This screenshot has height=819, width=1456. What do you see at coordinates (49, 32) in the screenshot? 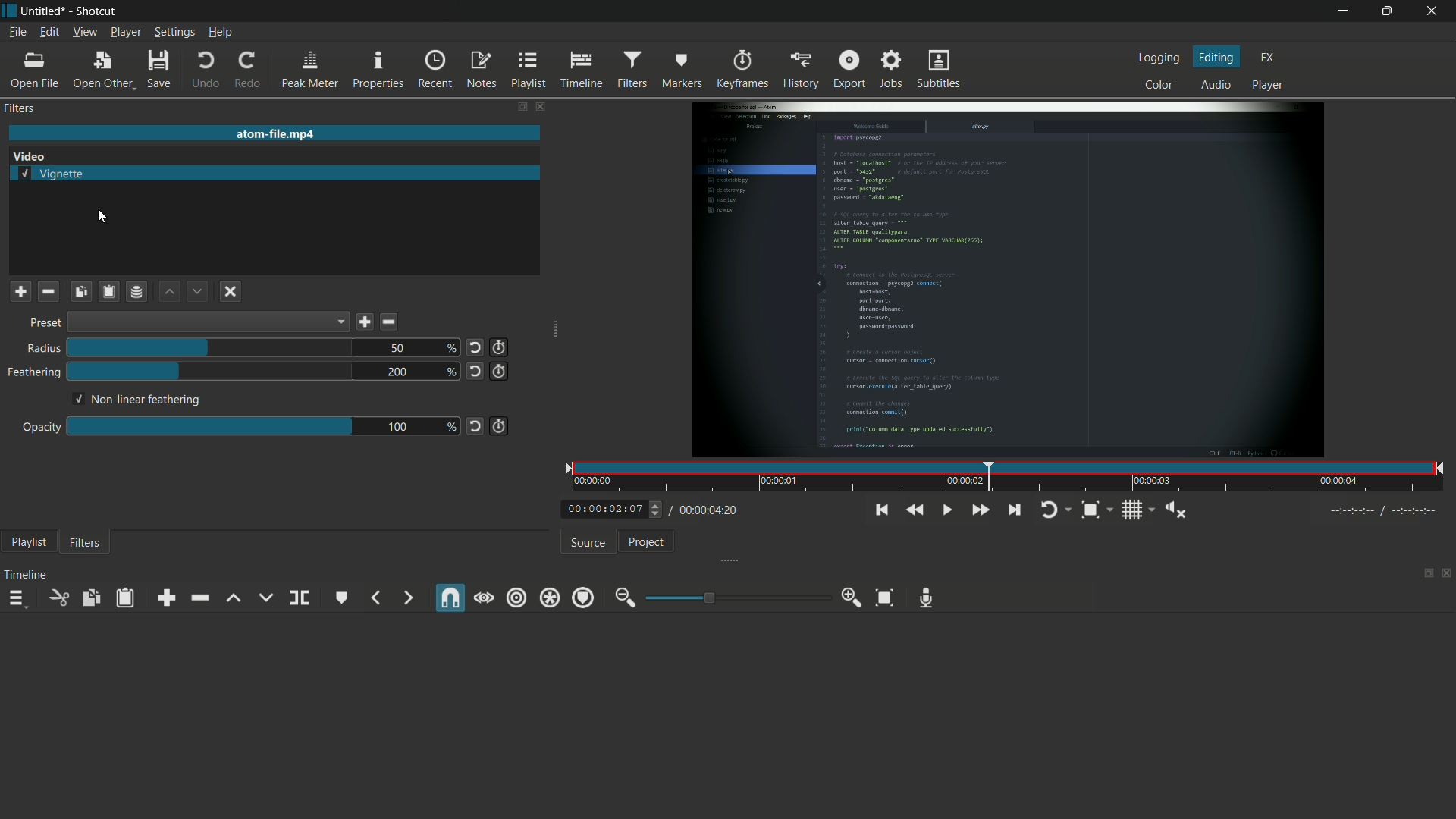
I see `edit menu` at bounding box center [49, 32].